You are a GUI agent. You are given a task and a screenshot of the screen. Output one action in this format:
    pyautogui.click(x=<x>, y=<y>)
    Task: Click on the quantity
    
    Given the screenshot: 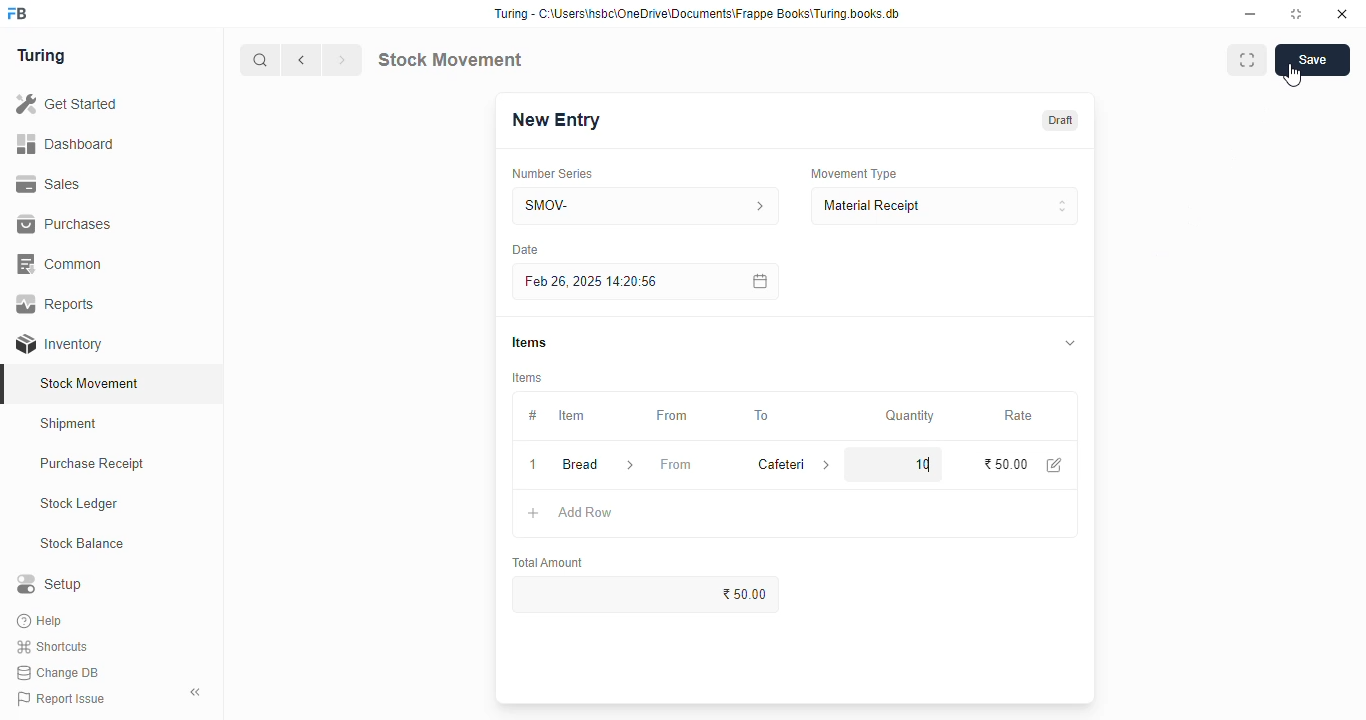 What is the action you would take?
    pyautogui.click(x=910, y=416)
    